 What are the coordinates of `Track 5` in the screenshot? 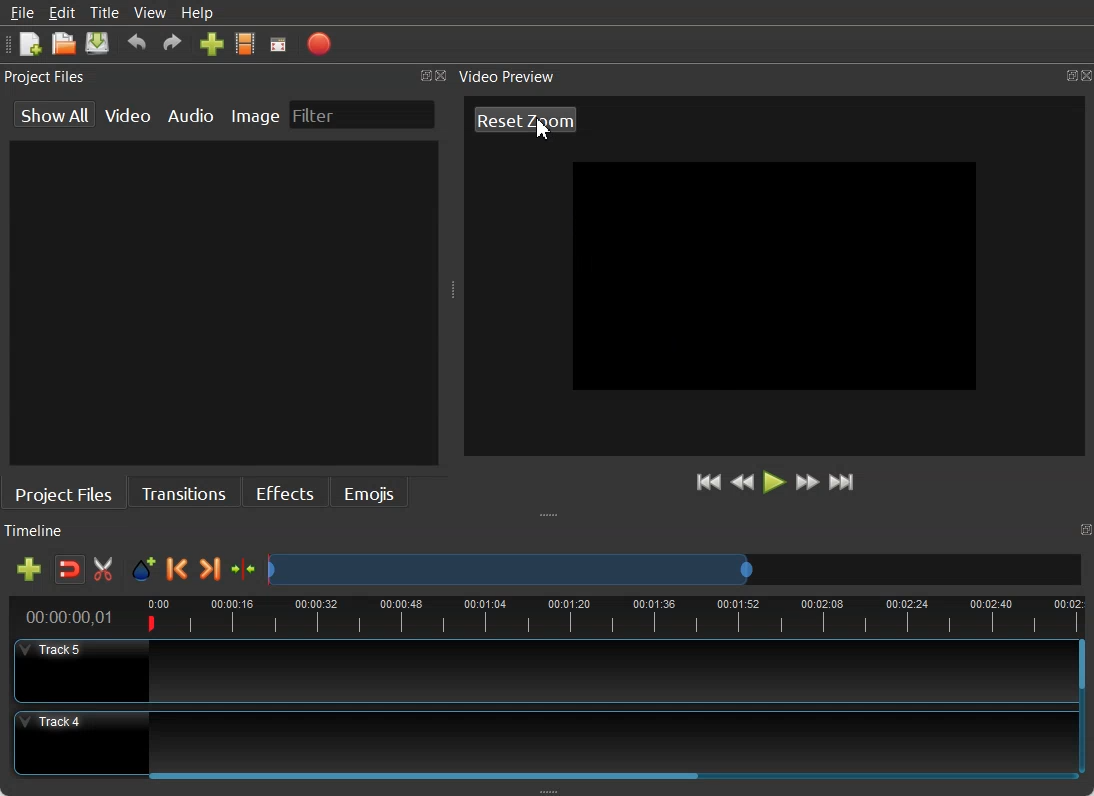 It's located at (541, 673).